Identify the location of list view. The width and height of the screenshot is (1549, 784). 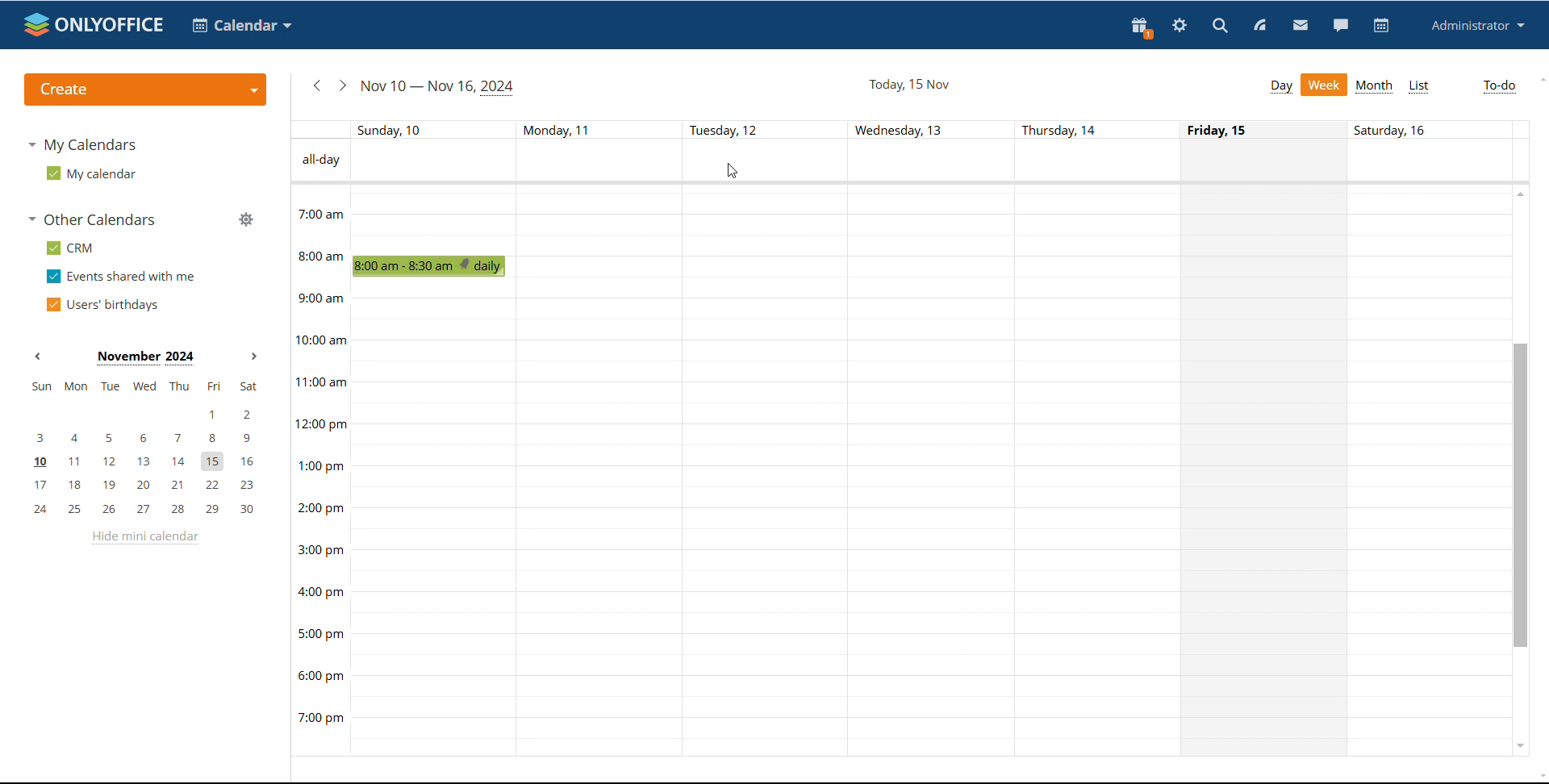
(1420, 86).